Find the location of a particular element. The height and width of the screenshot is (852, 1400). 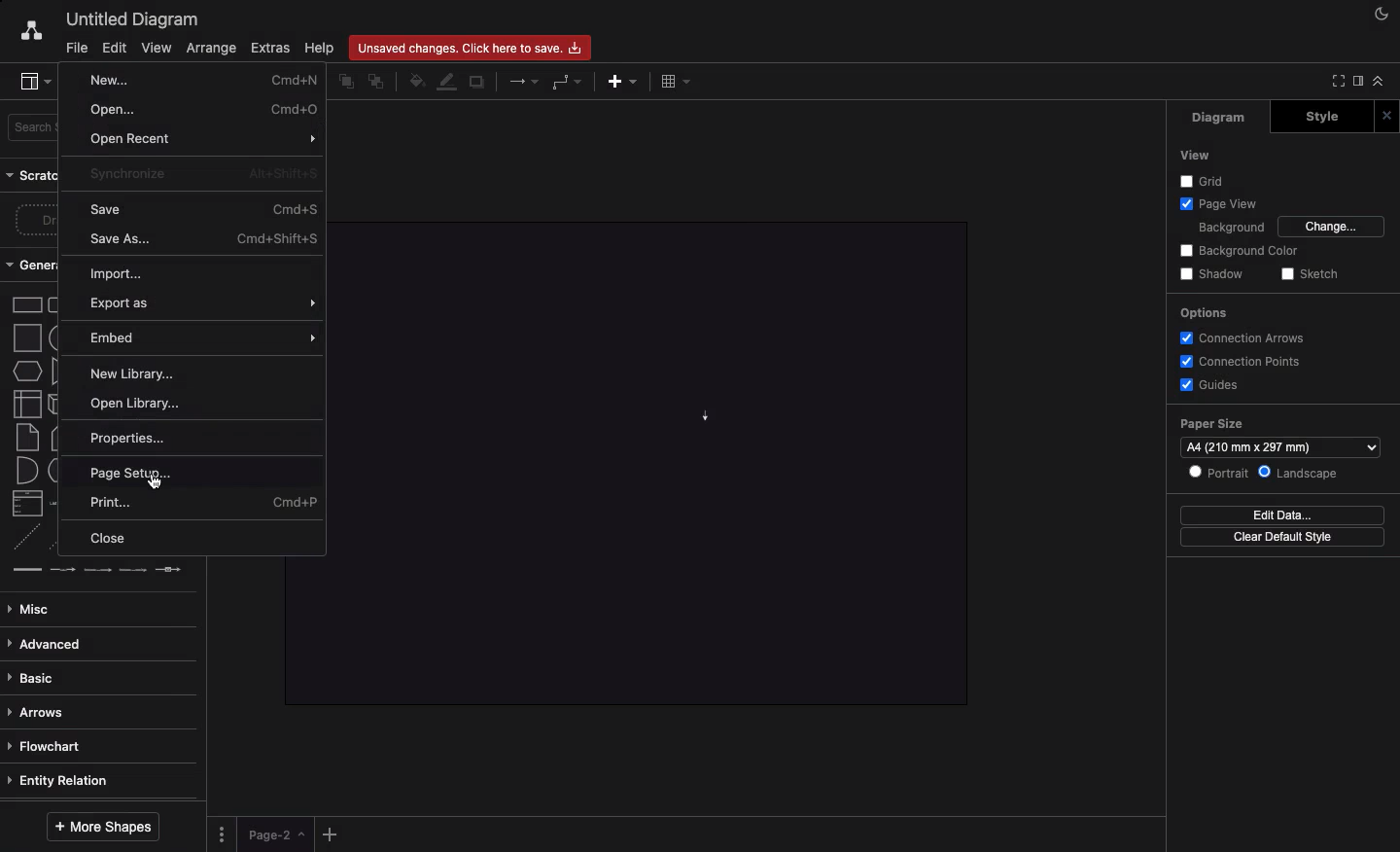

Add is located at coordinates (622, 81).